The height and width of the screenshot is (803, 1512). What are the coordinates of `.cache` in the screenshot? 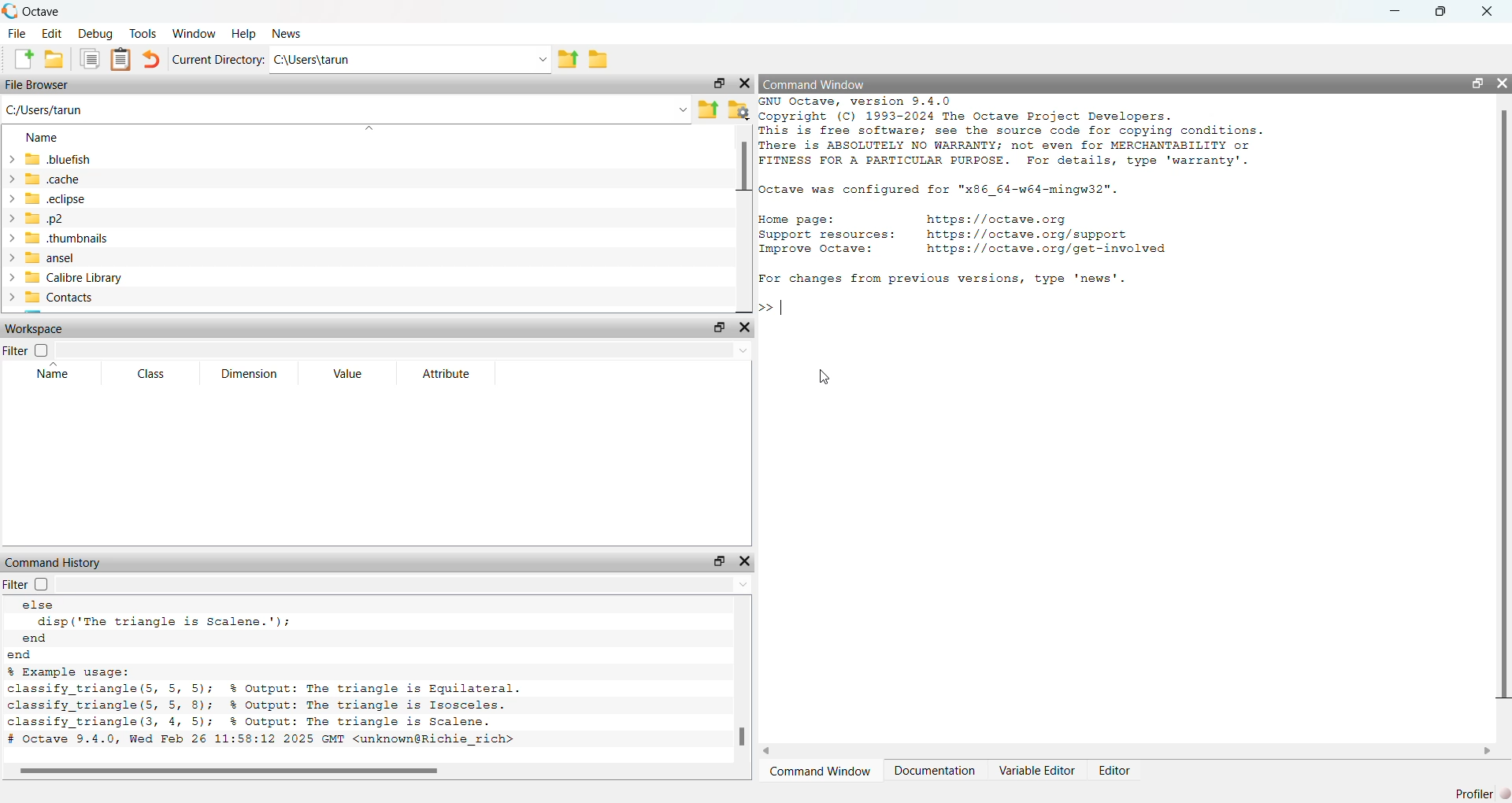 It's located at (50, 179).